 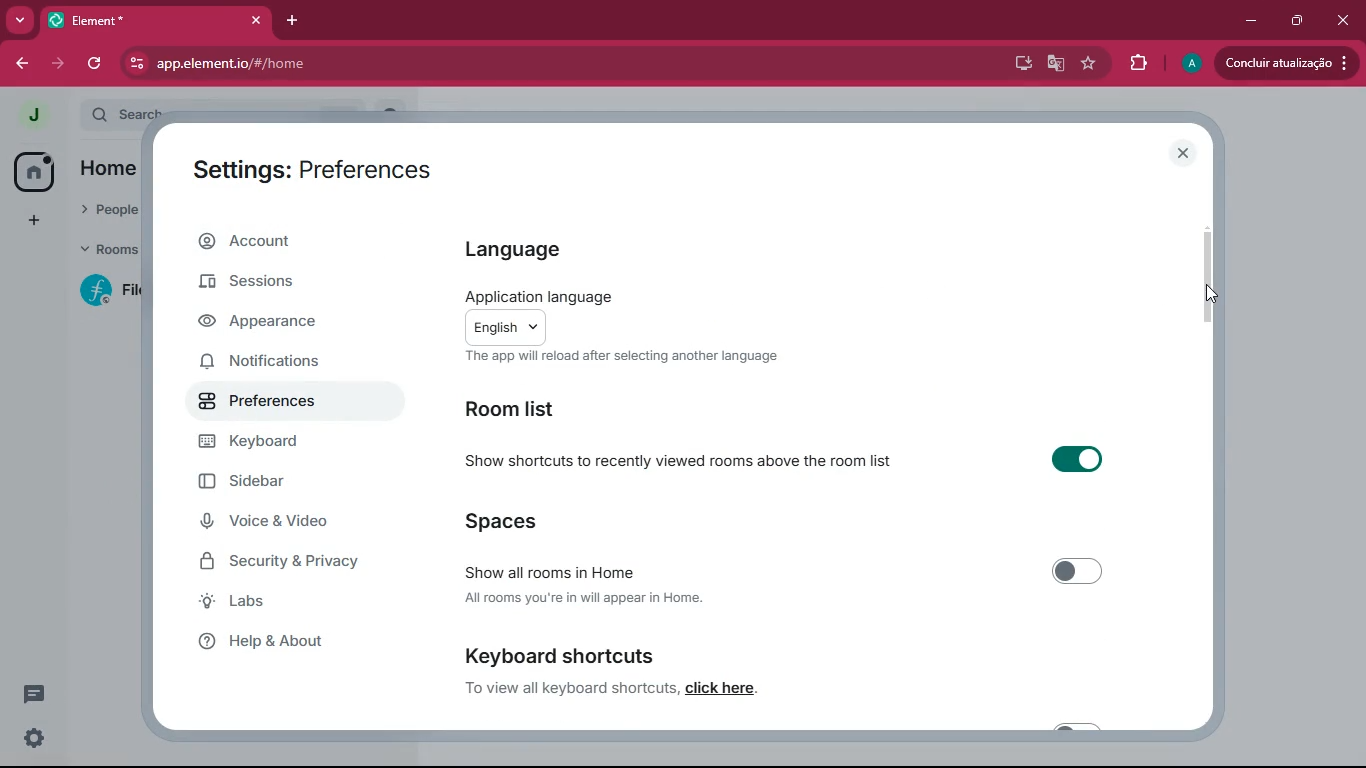 I want to click on room list , so click(x=529, y=413).